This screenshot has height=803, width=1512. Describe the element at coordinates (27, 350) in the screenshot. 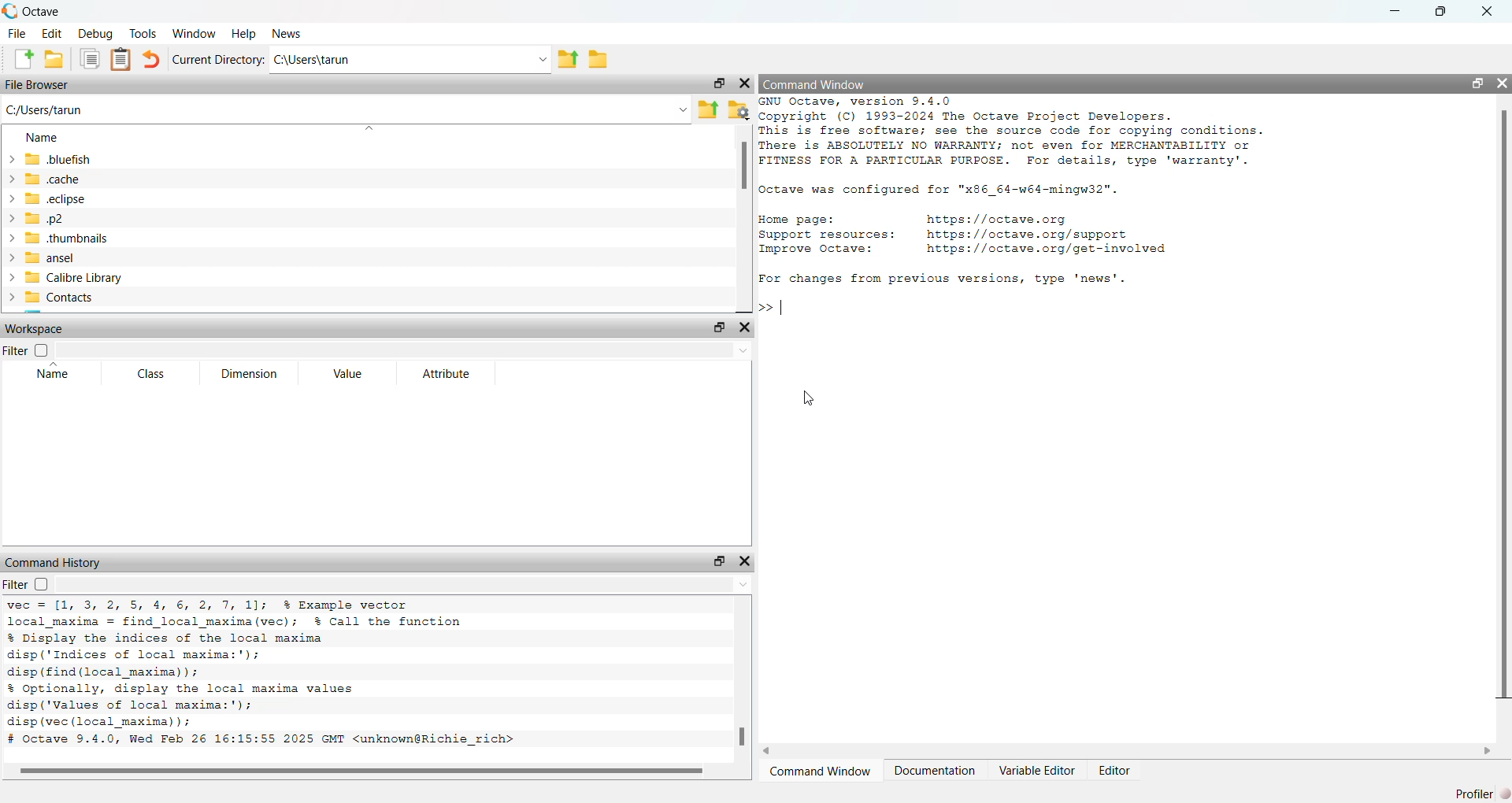

I see `Filter` at that location.